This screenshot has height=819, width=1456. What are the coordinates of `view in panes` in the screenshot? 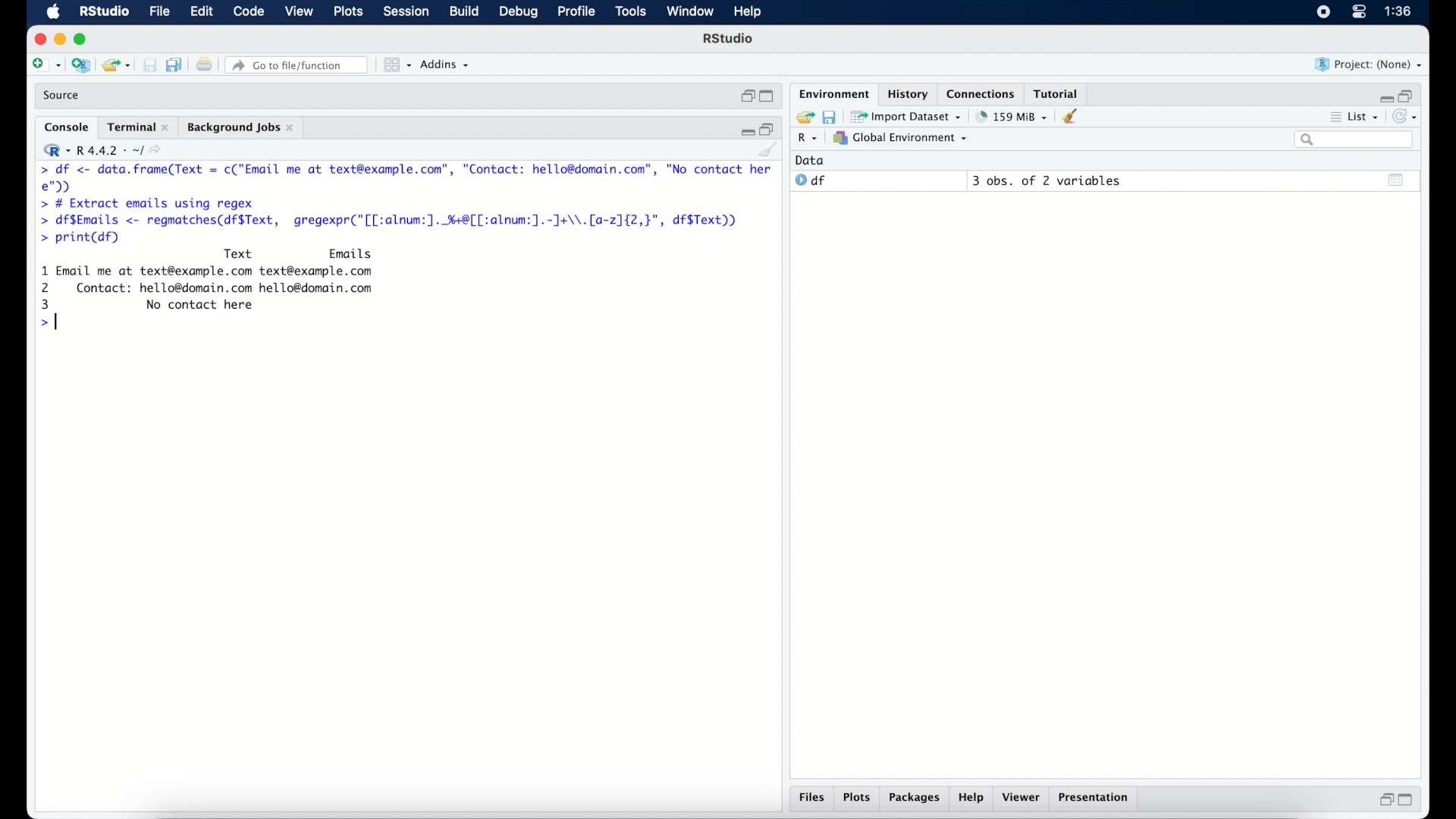 It's located at (396, 65).